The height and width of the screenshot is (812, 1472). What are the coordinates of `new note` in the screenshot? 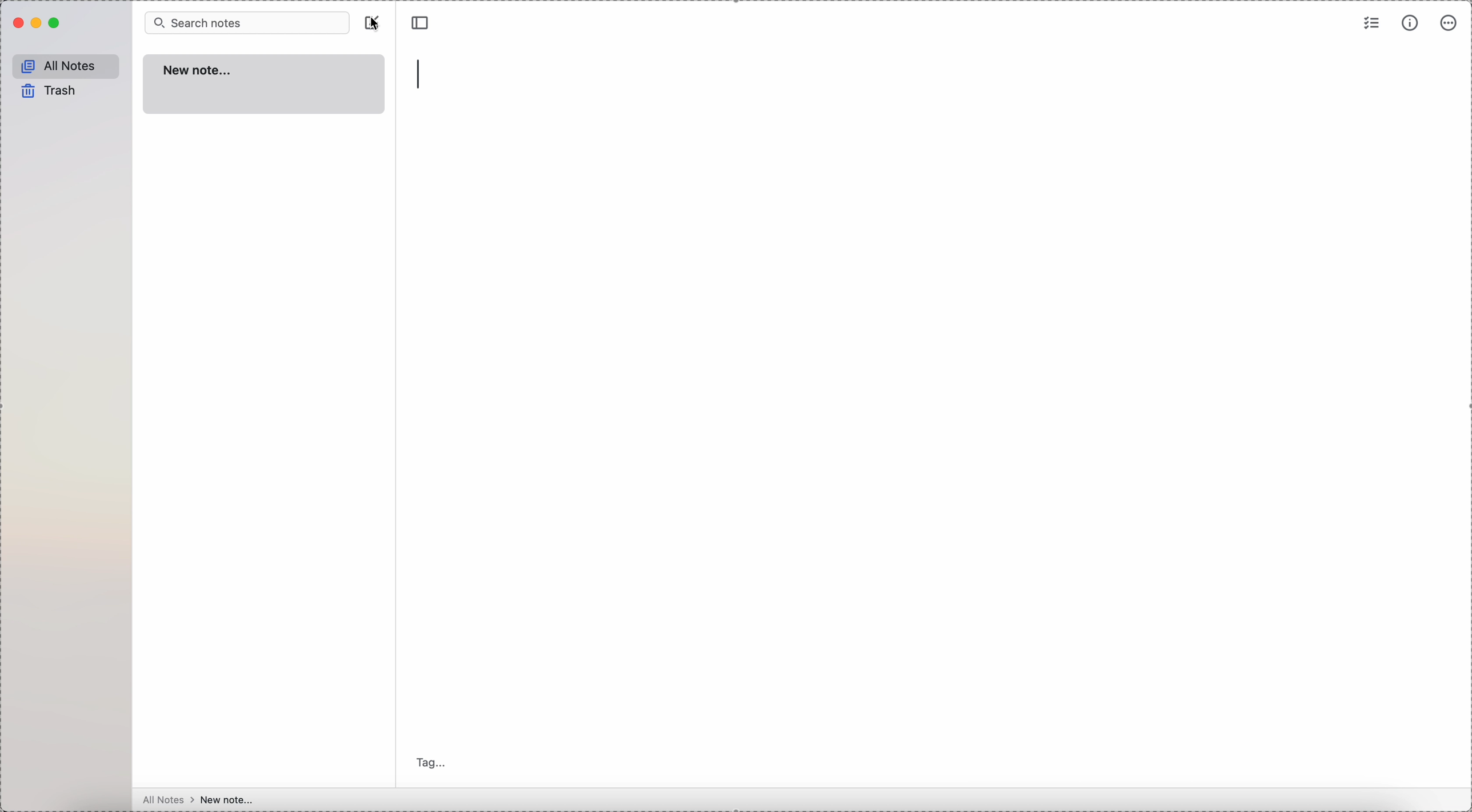 It's located at (265, 86).